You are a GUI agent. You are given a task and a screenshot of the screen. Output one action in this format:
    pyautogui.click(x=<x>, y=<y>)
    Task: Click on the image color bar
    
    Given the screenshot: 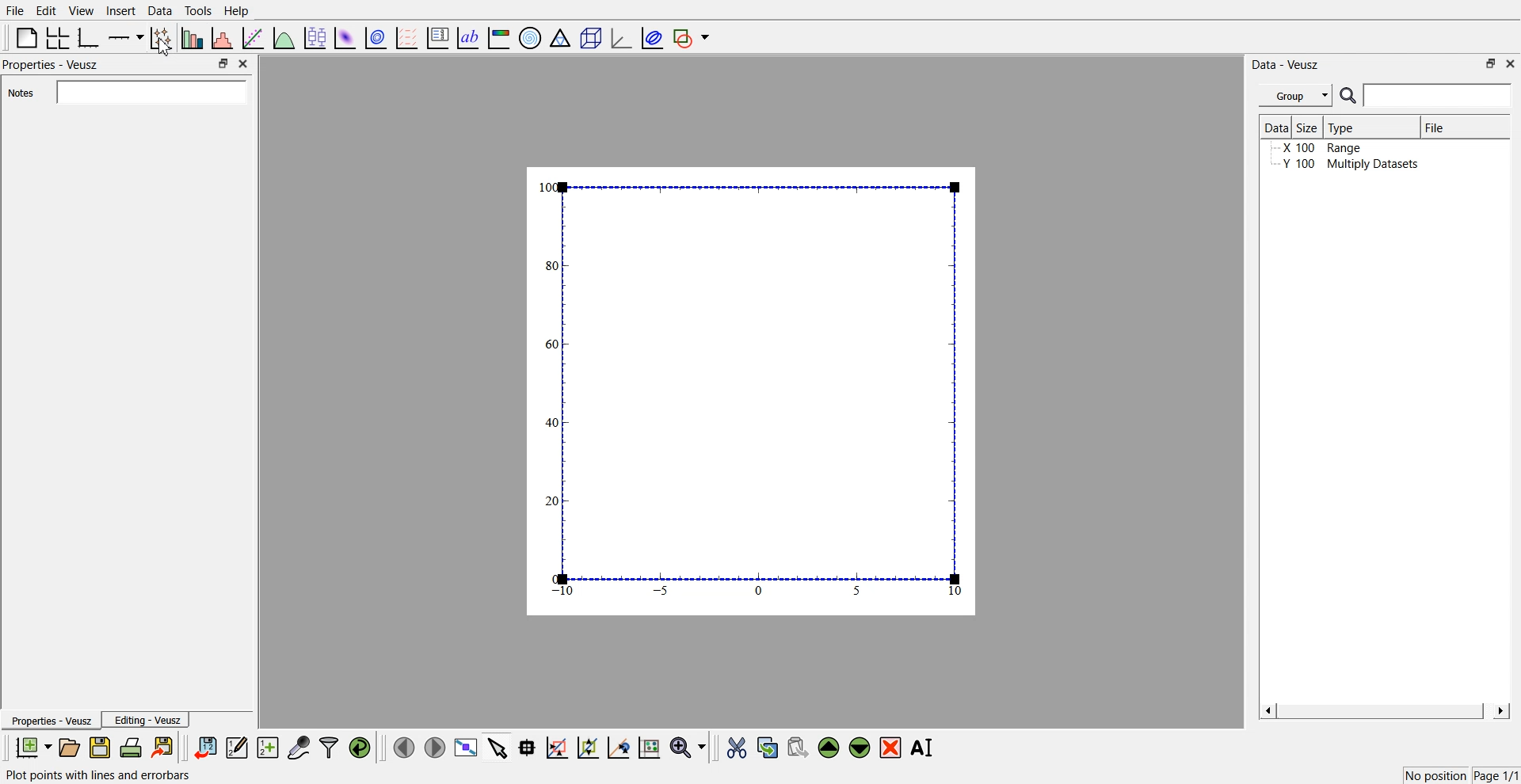 What is the action you would take?
    pyautogui.click(x=498, y=39)
    